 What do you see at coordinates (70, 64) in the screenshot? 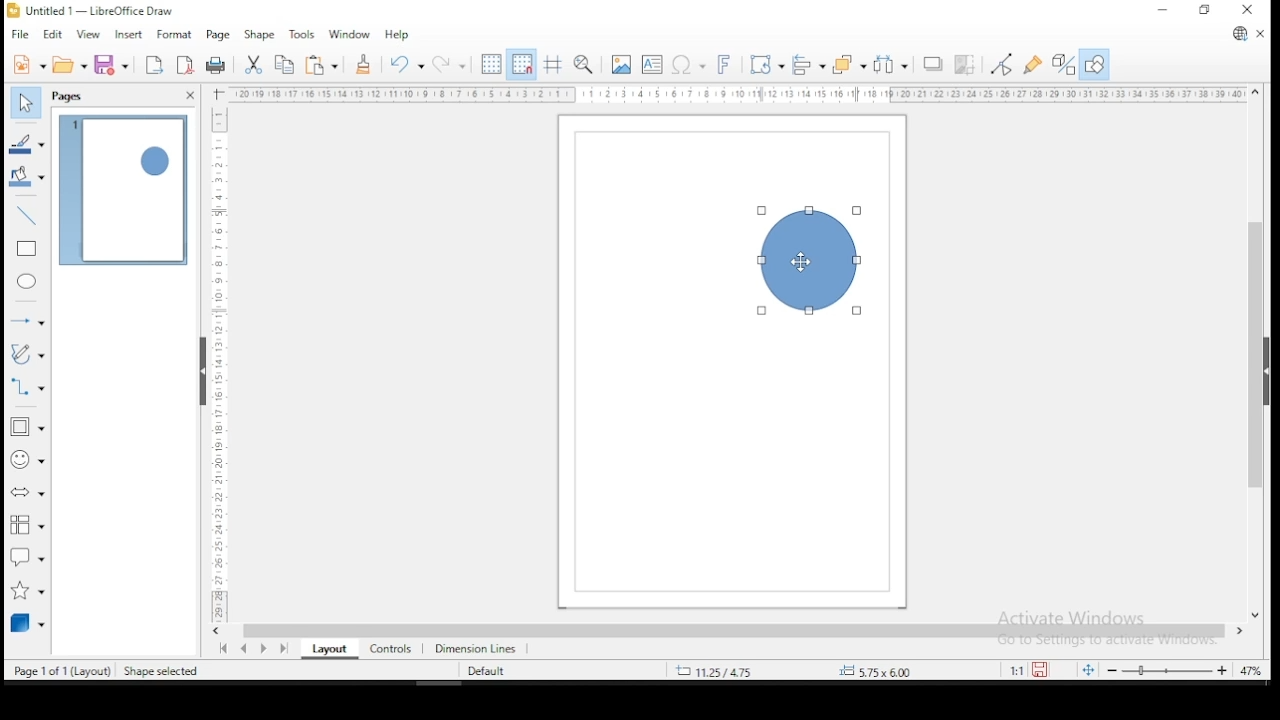
I see `open` at bounding box center [70, 64].